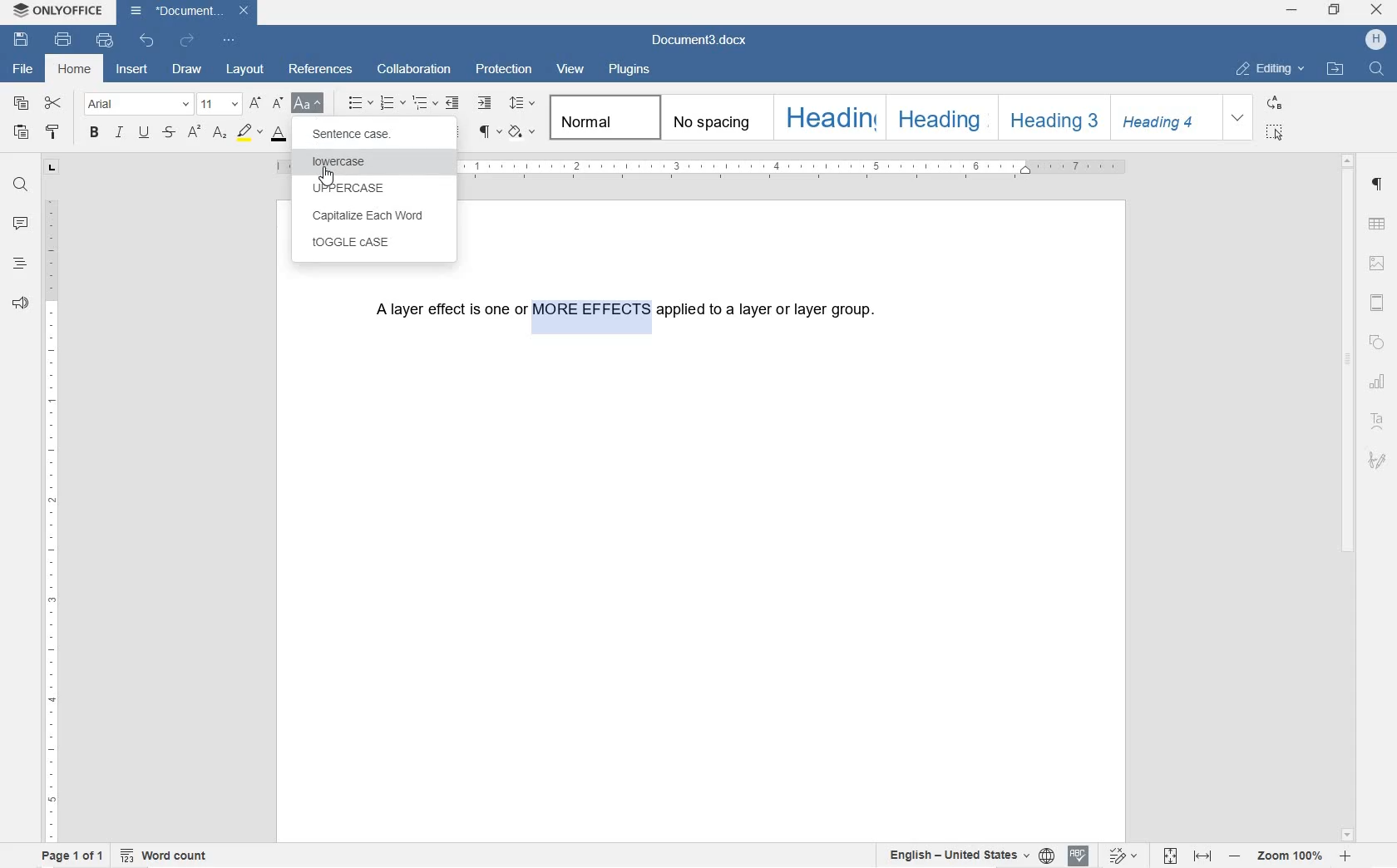  I want to click on PAGE 1 OF 1, so click(72, 856).